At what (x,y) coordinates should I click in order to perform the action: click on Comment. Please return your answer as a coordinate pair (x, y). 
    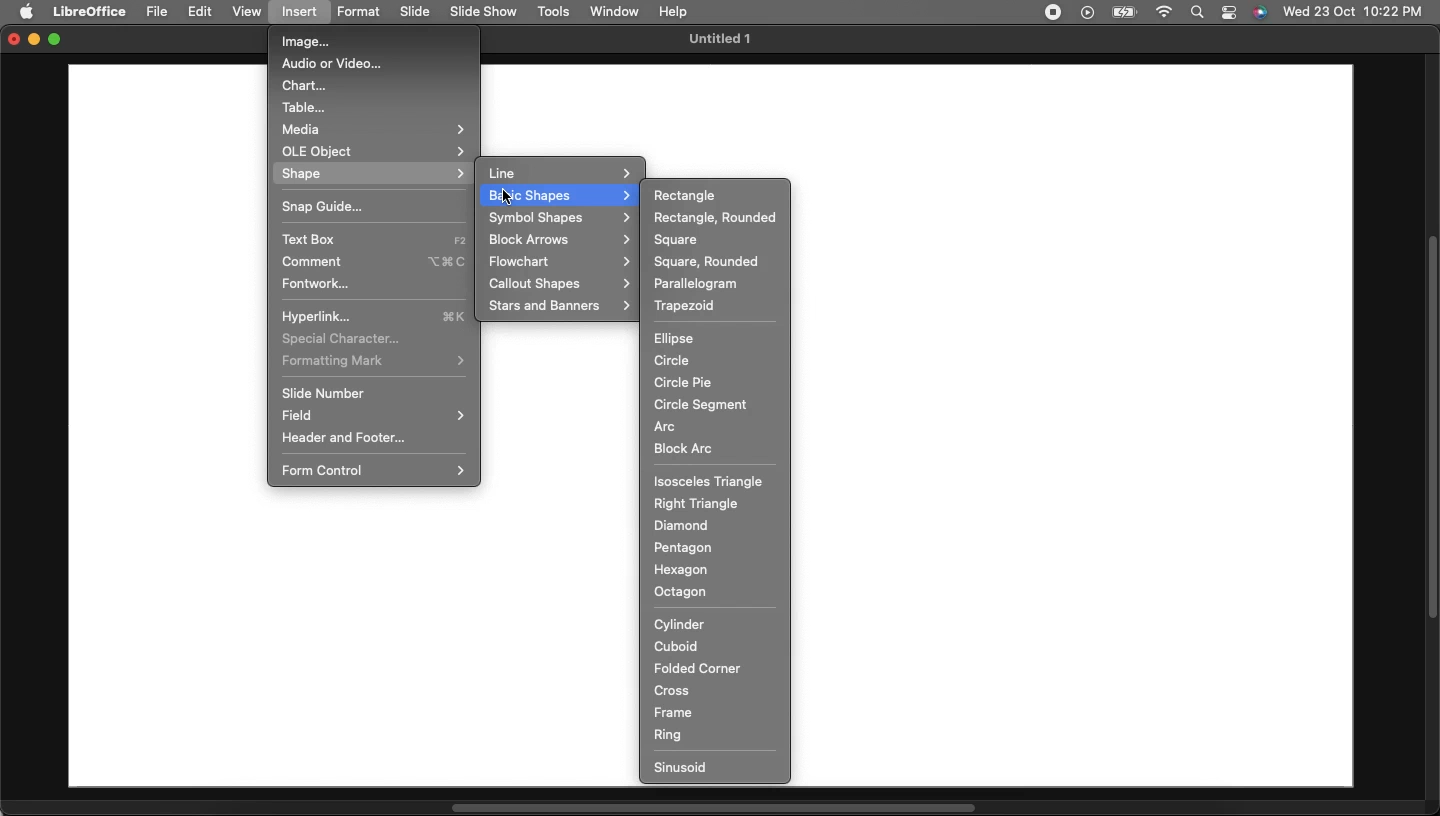
    Looking at the image, I should click on (377, 261).